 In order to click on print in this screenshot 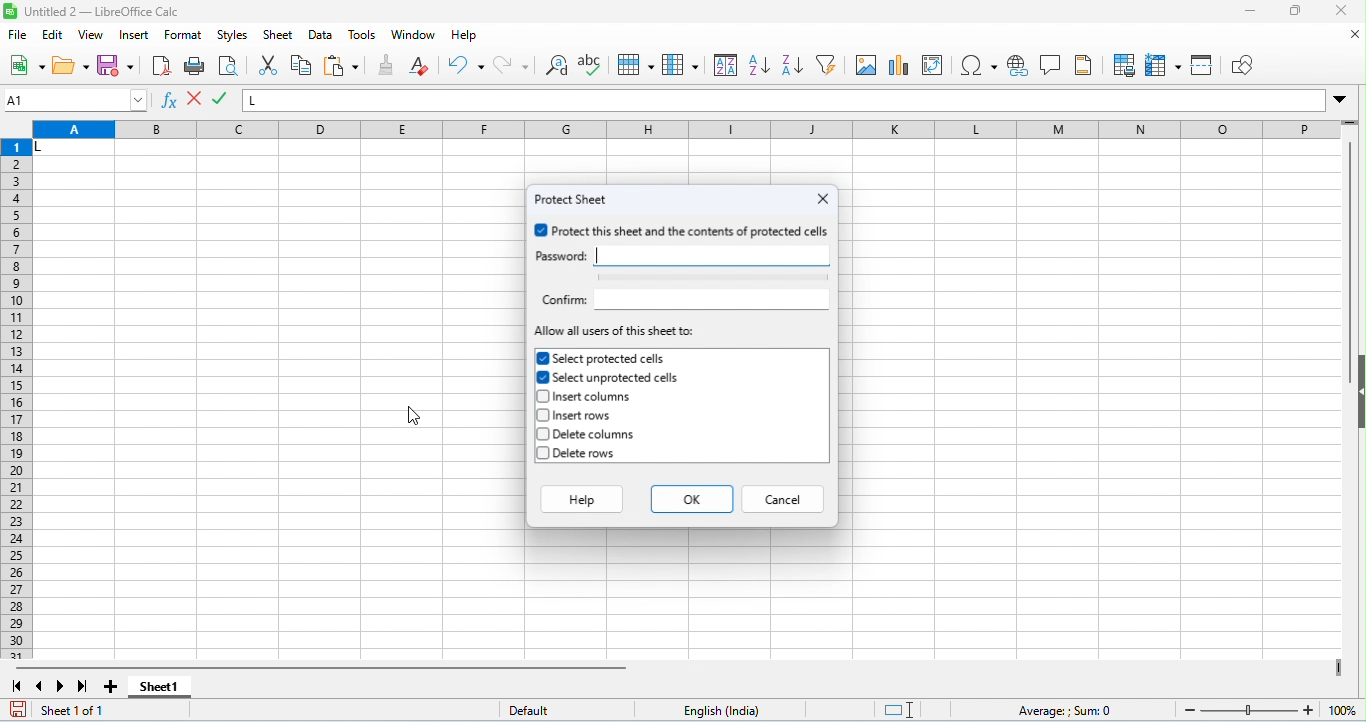, I will do `click(195, 67)`.